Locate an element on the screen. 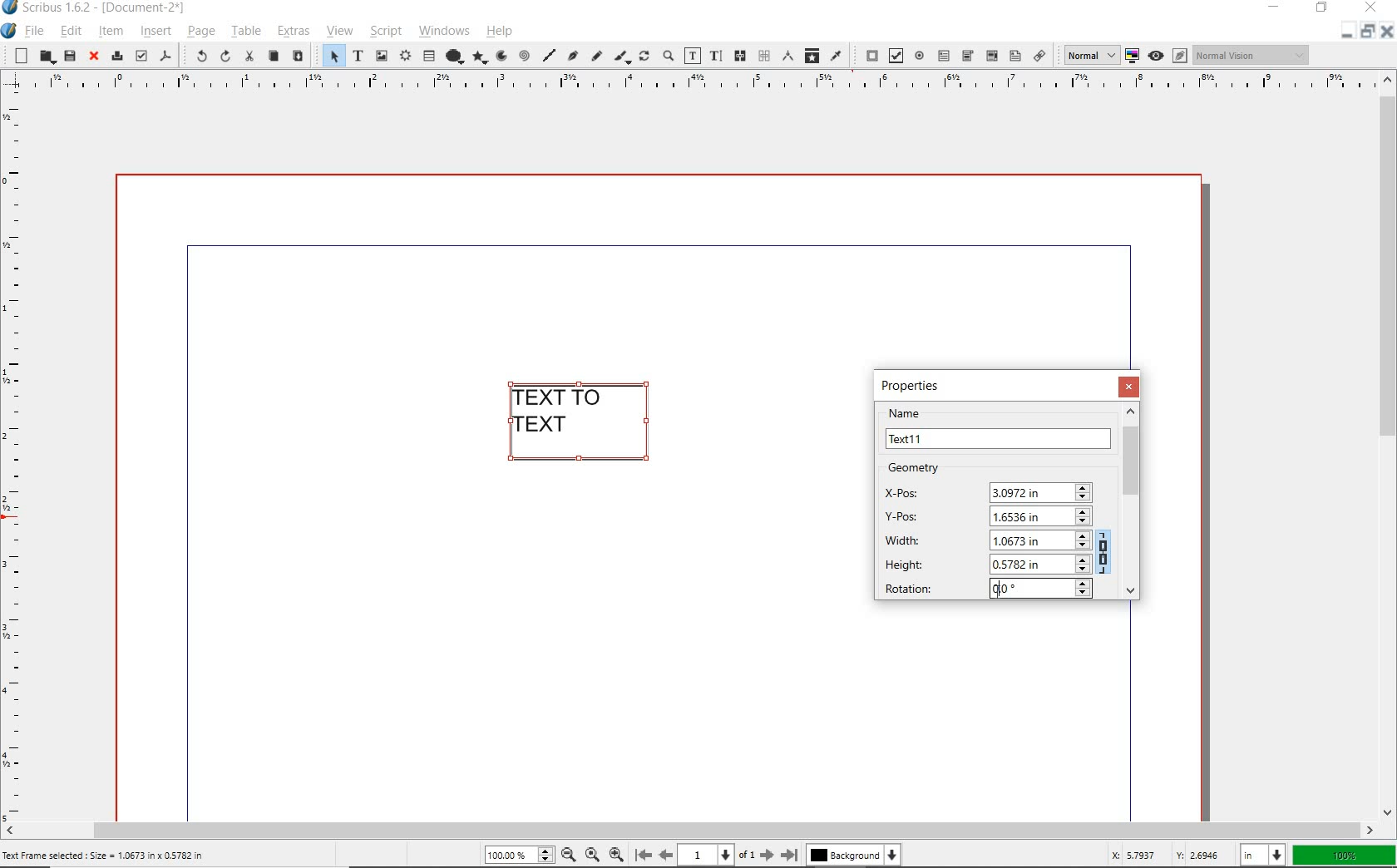 Image resolution: width=1397 pixels, height=868 pixels. Y-POS is located at coordinates (984, 515).